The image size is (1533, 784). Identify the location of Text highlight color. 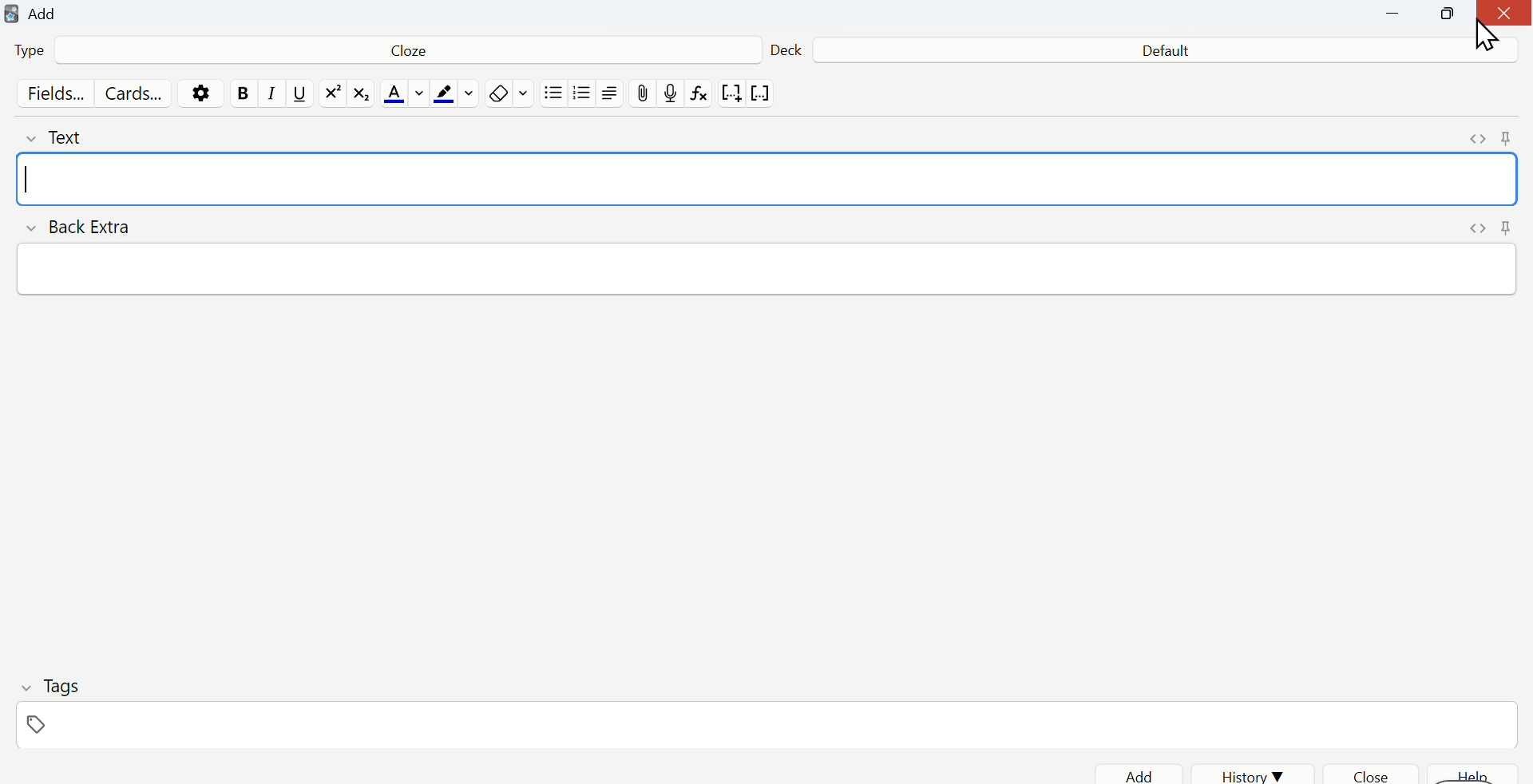
(456, 95).